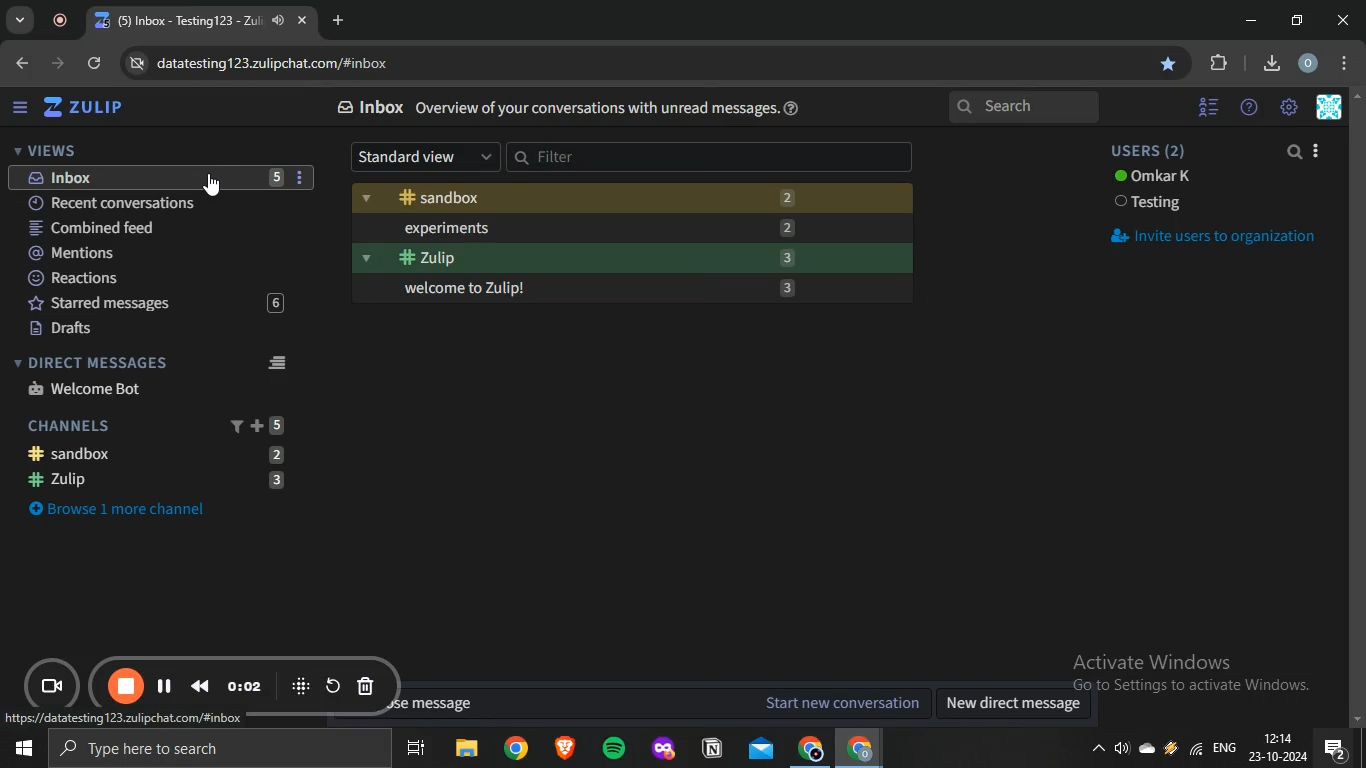  What do you see at coordinates (158, 424) in the screenshot?
I see `channels` at bounding box center [158, 424].